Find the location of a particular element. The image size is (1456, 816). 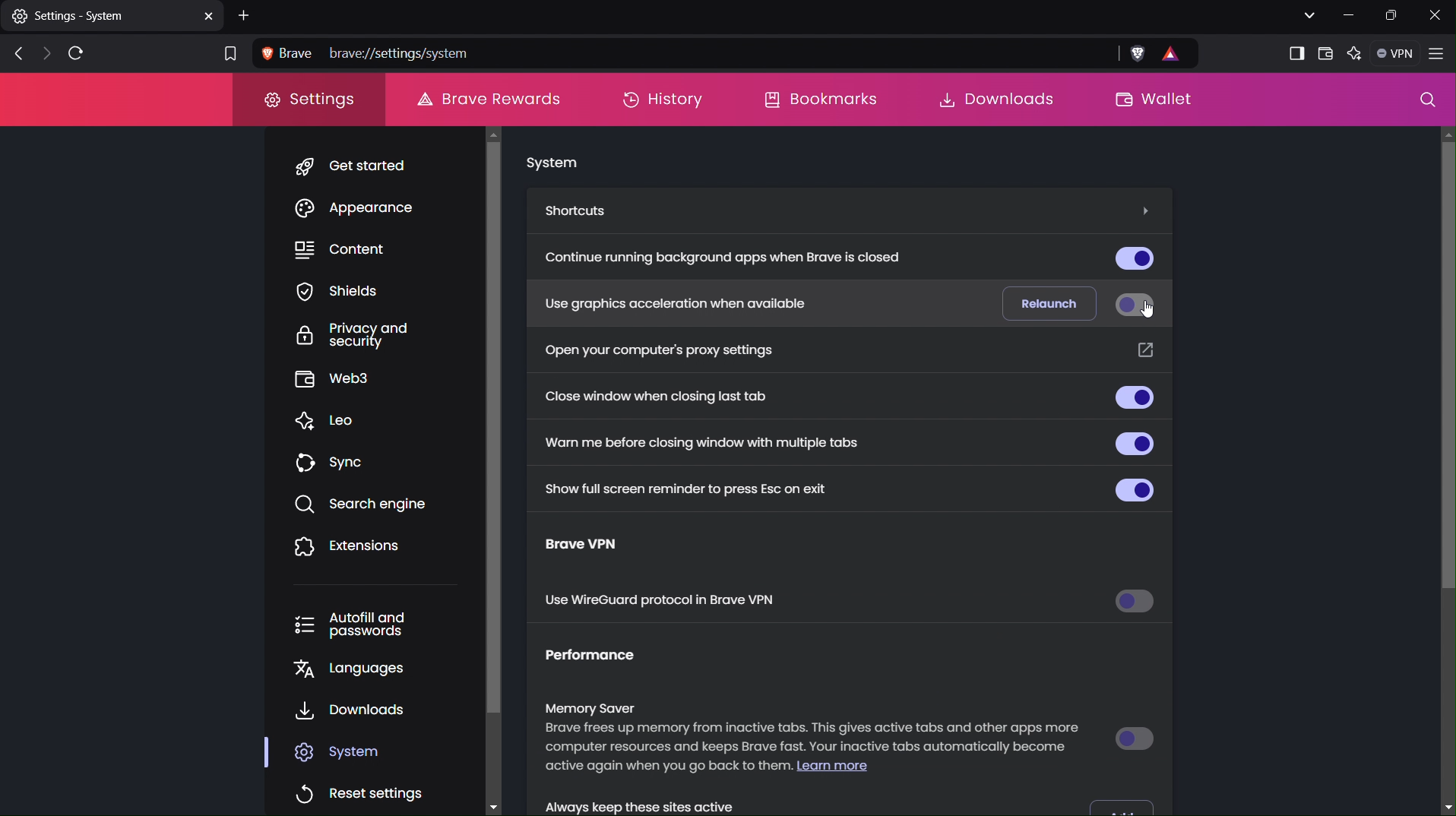

cursor is located at coordinates (1151, 314).